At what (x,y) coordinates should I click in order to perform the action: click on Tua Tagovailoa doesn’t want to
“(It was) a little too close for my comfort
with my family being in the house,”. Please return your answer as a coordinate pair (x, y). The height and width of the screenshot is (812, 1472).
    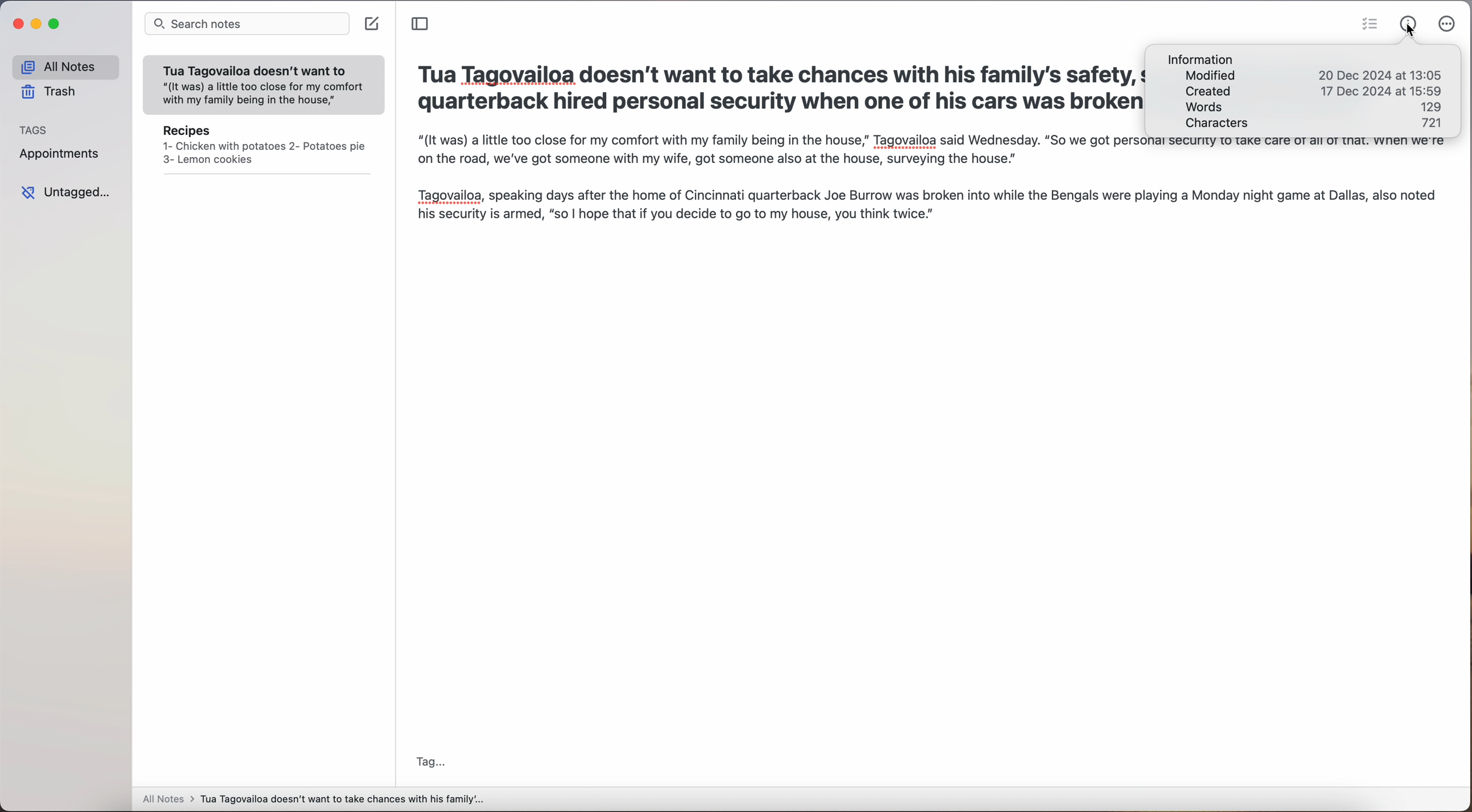
    Looking at the image, I should click on (265, 81).